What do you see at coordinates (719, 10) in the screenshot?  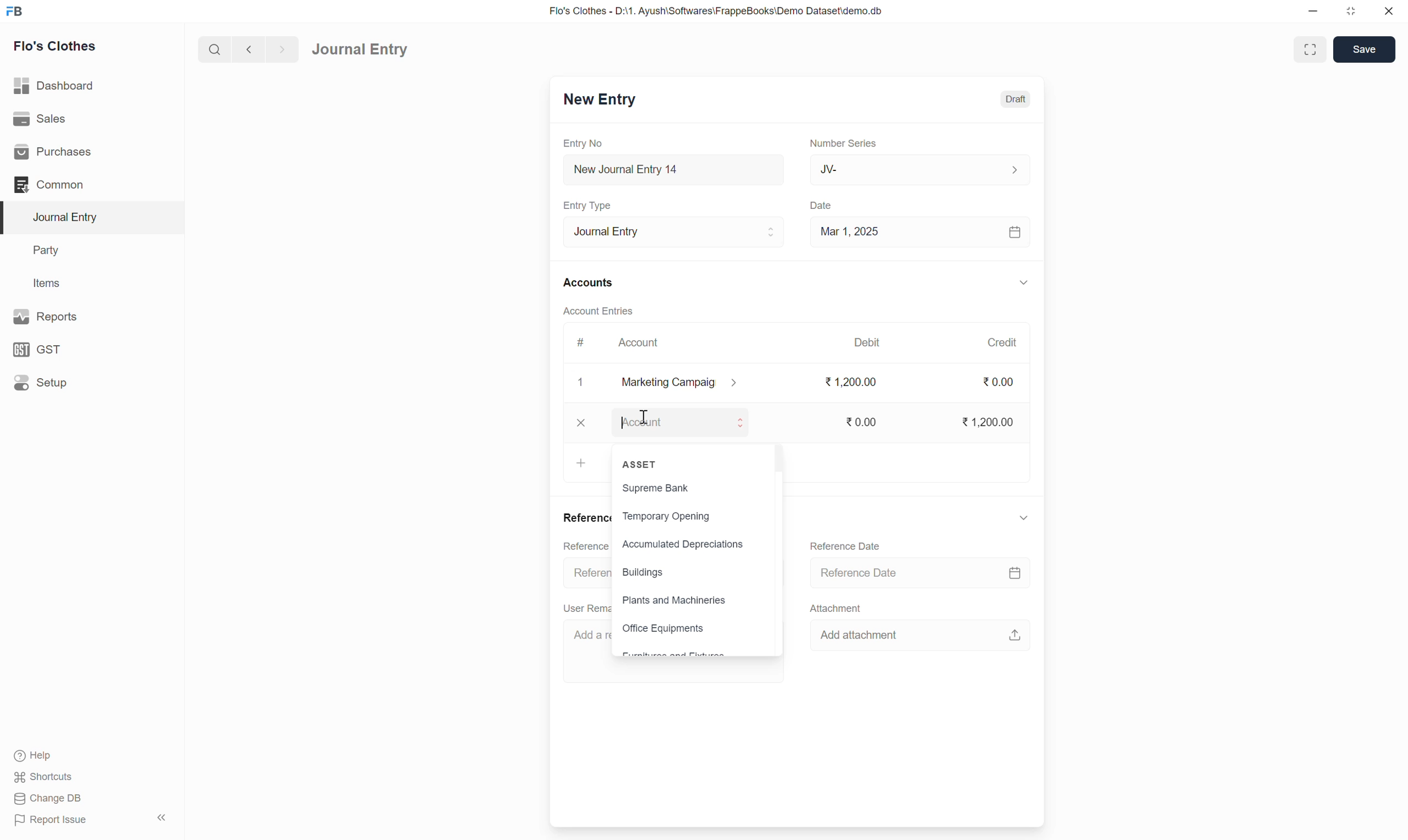 I see `Flo's Clothes - D:\1. Ayush\Softwares\FrappeBooks\Demo Dataset\demo.db` at bounding box center [719, 10].